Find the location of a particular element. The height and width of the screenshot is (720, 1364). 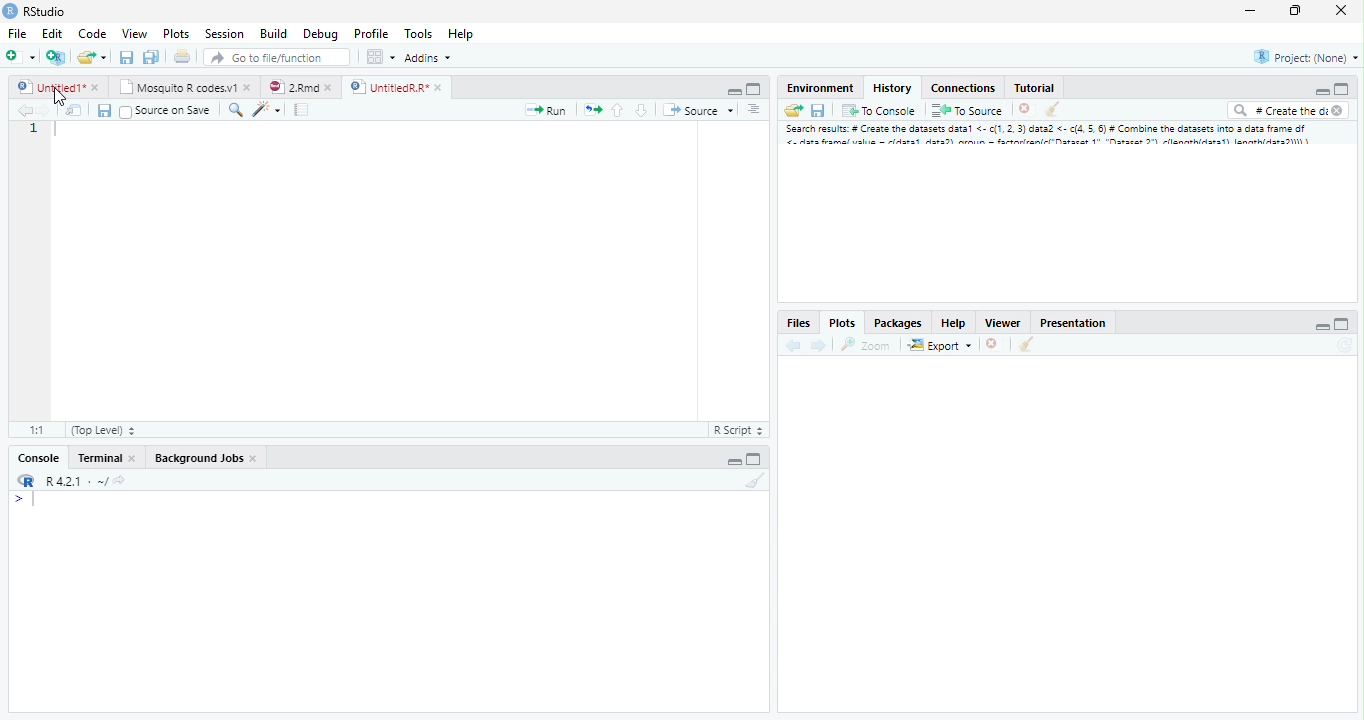

Files is located at coordinates (798, 321).